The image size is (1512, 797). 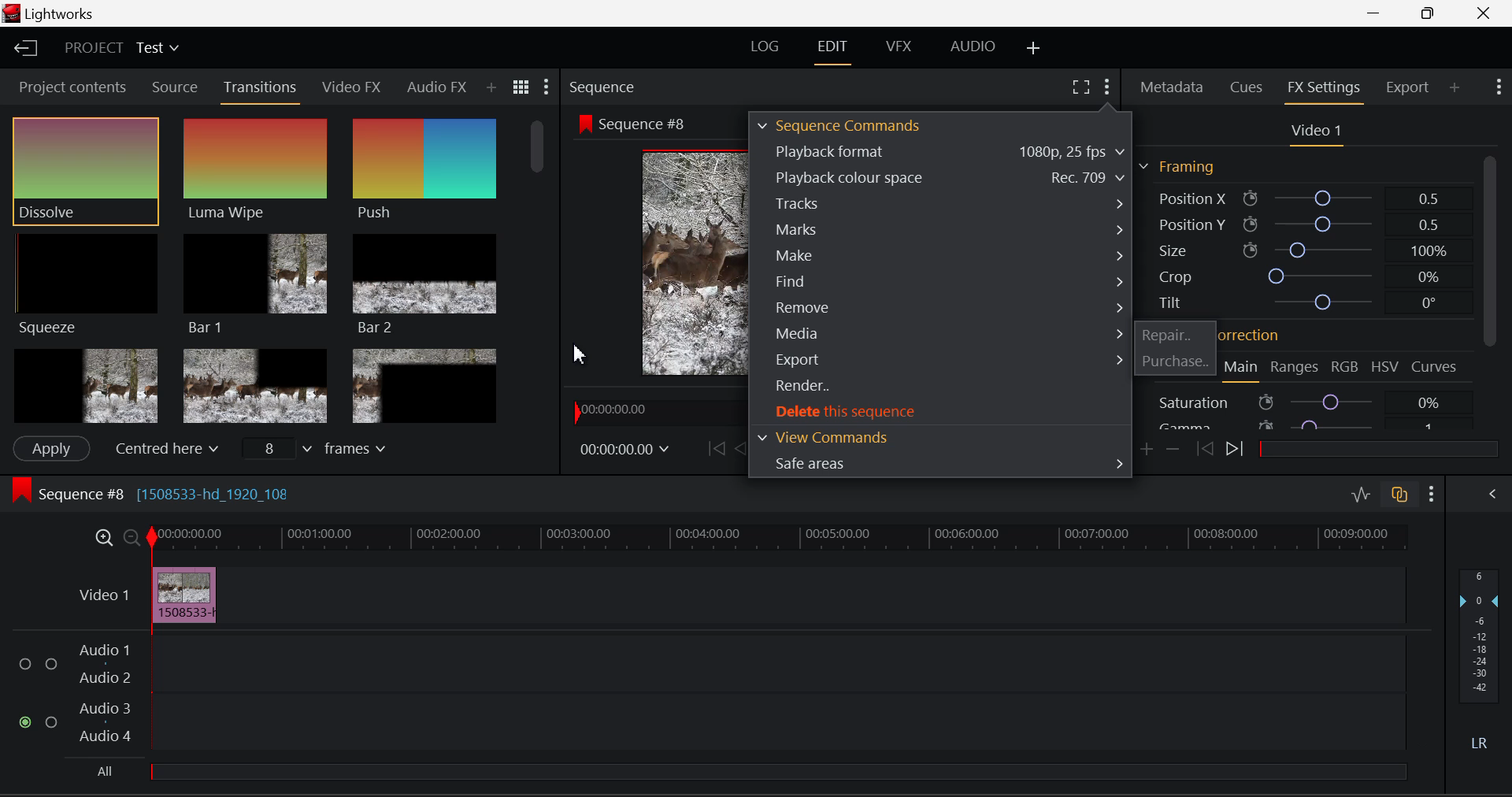 What do you see at coordinates (323, 450) in the screenshot?
I see `frames input` at bounding box center [323, 450].